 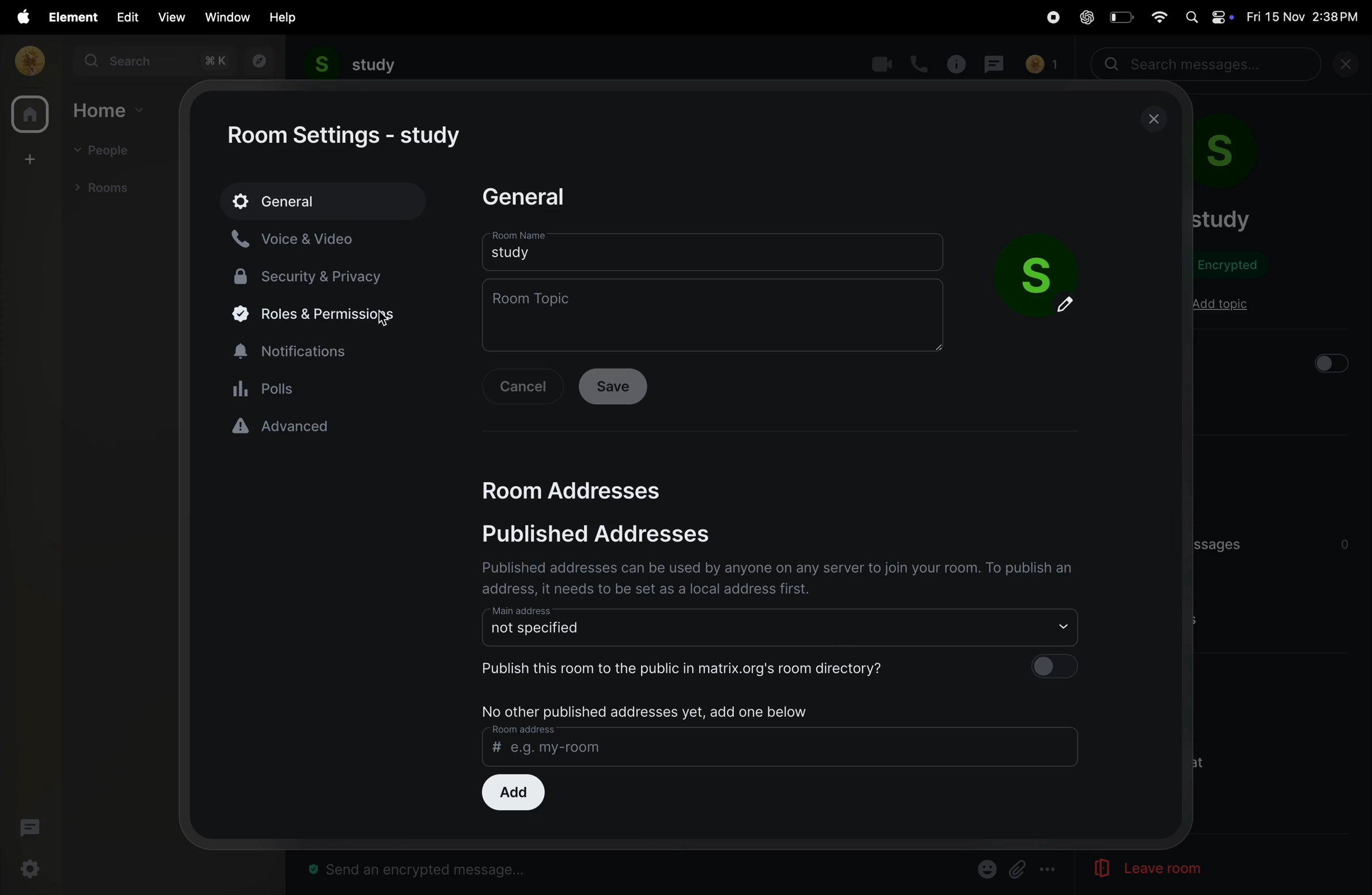 I want to click on general , so click(x=325, y=200).